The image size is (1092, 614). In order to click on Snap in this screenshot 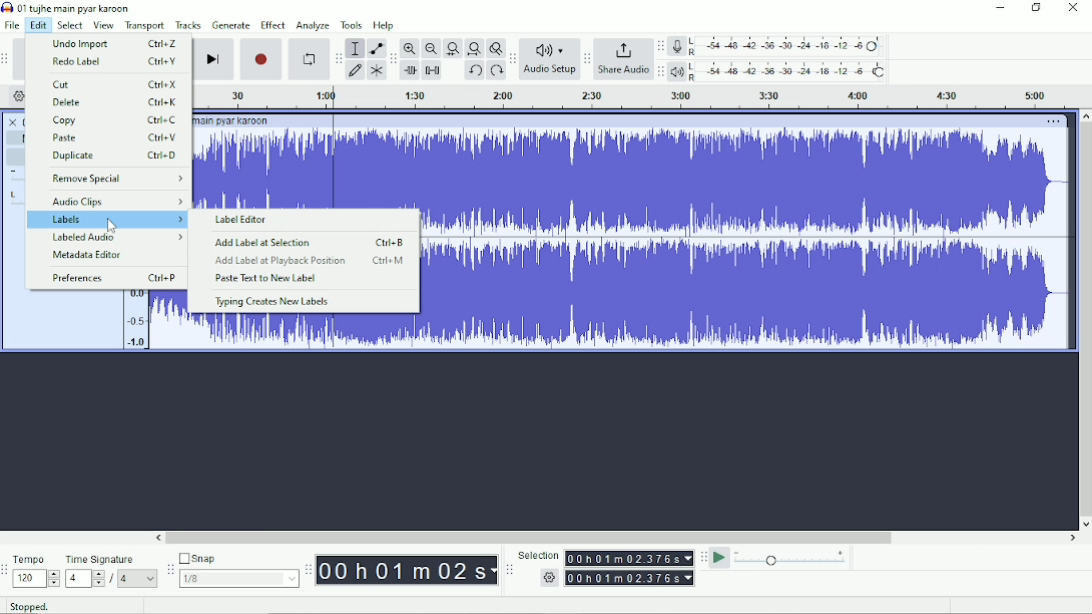, I will do `click(238, 569)`.